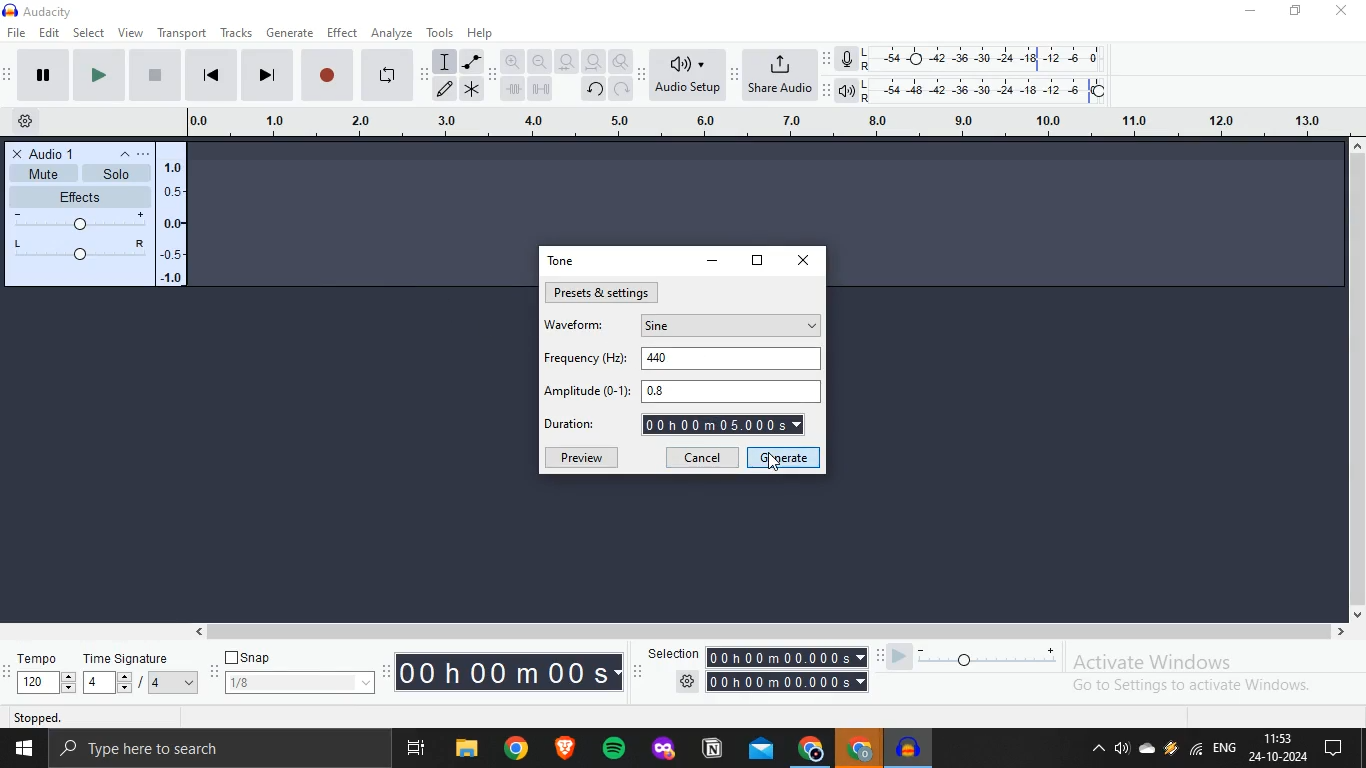  Describe the element at coordinates (567, 62) in the screenshot. I see `Fit Section` at that location.